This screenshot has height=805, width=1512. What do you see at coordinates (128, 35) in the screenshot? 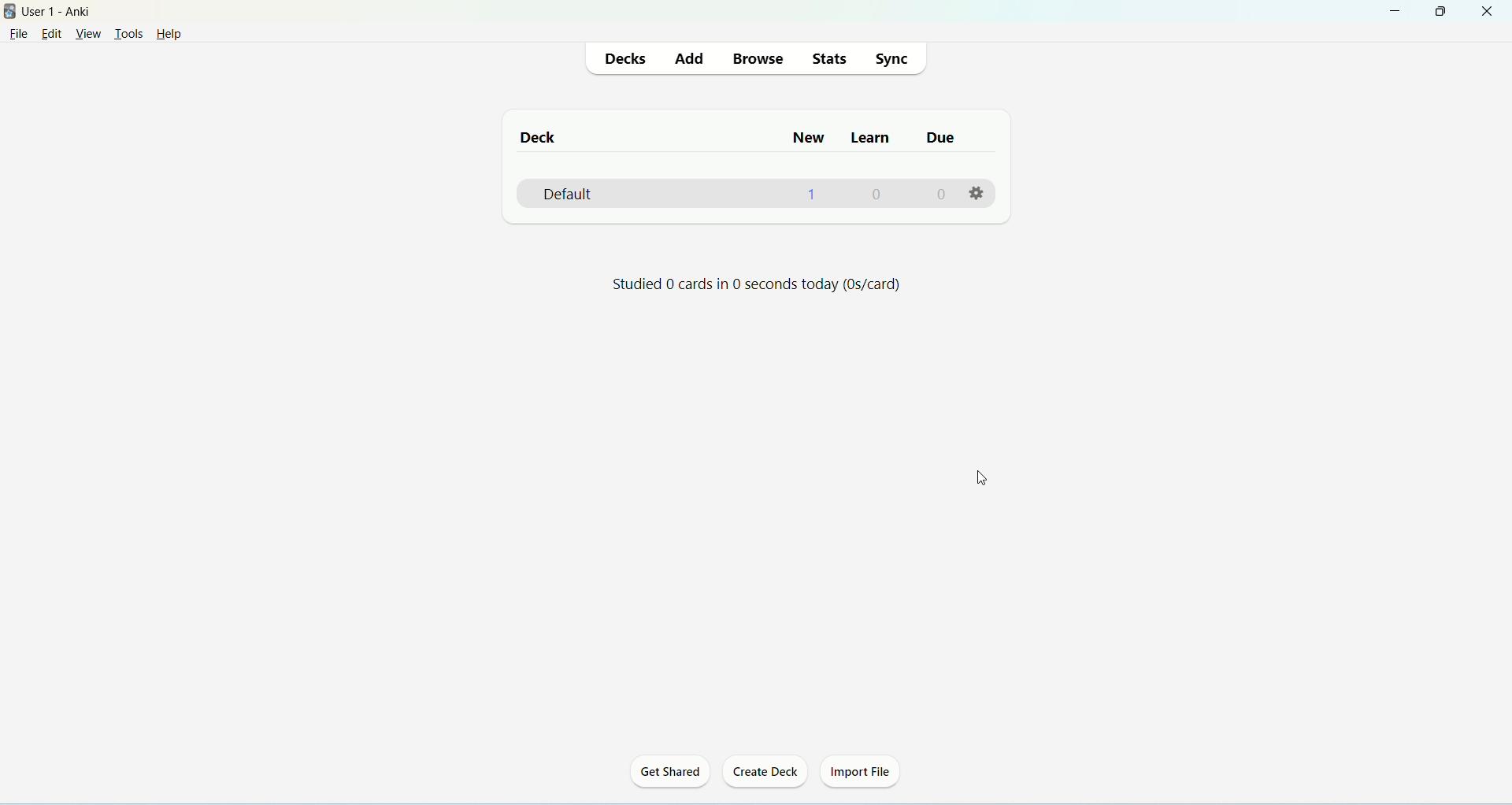
I see `tools` at bounding box center [128, 35].